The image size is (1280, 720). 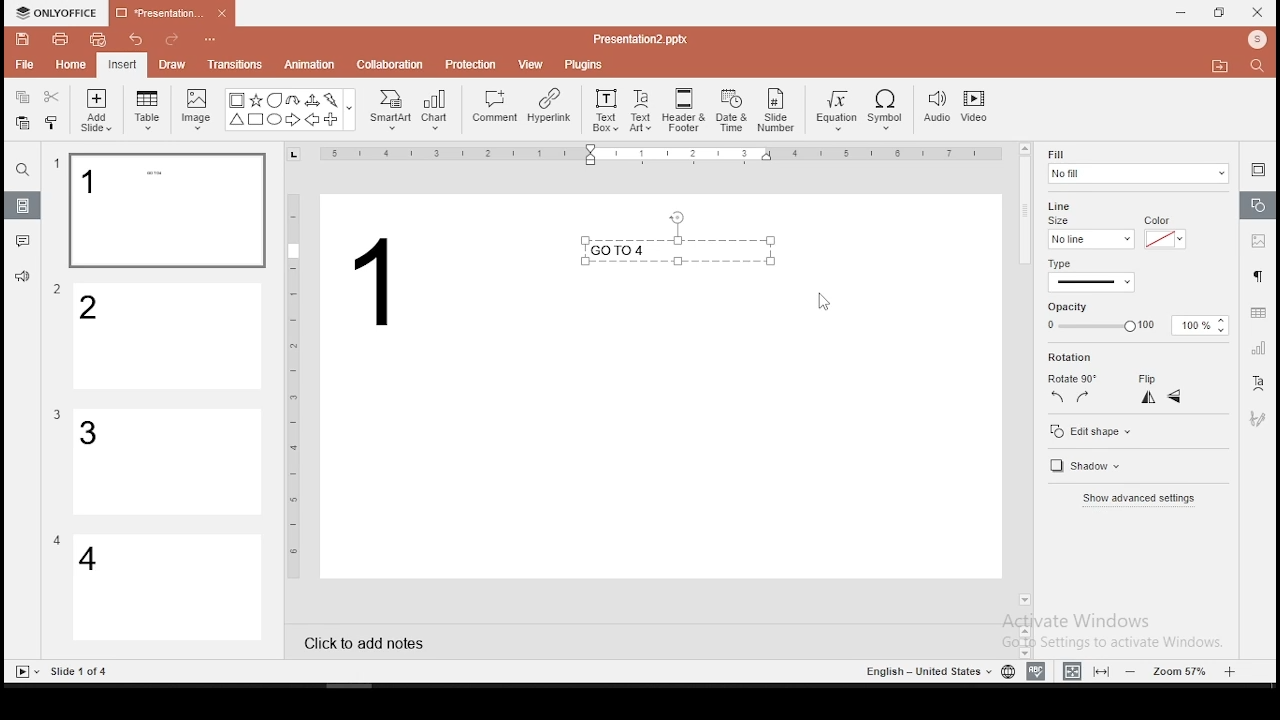 What do you see at coordinates (57, 164) in the screenshot?
I see `` at bounding box center [57, 164].